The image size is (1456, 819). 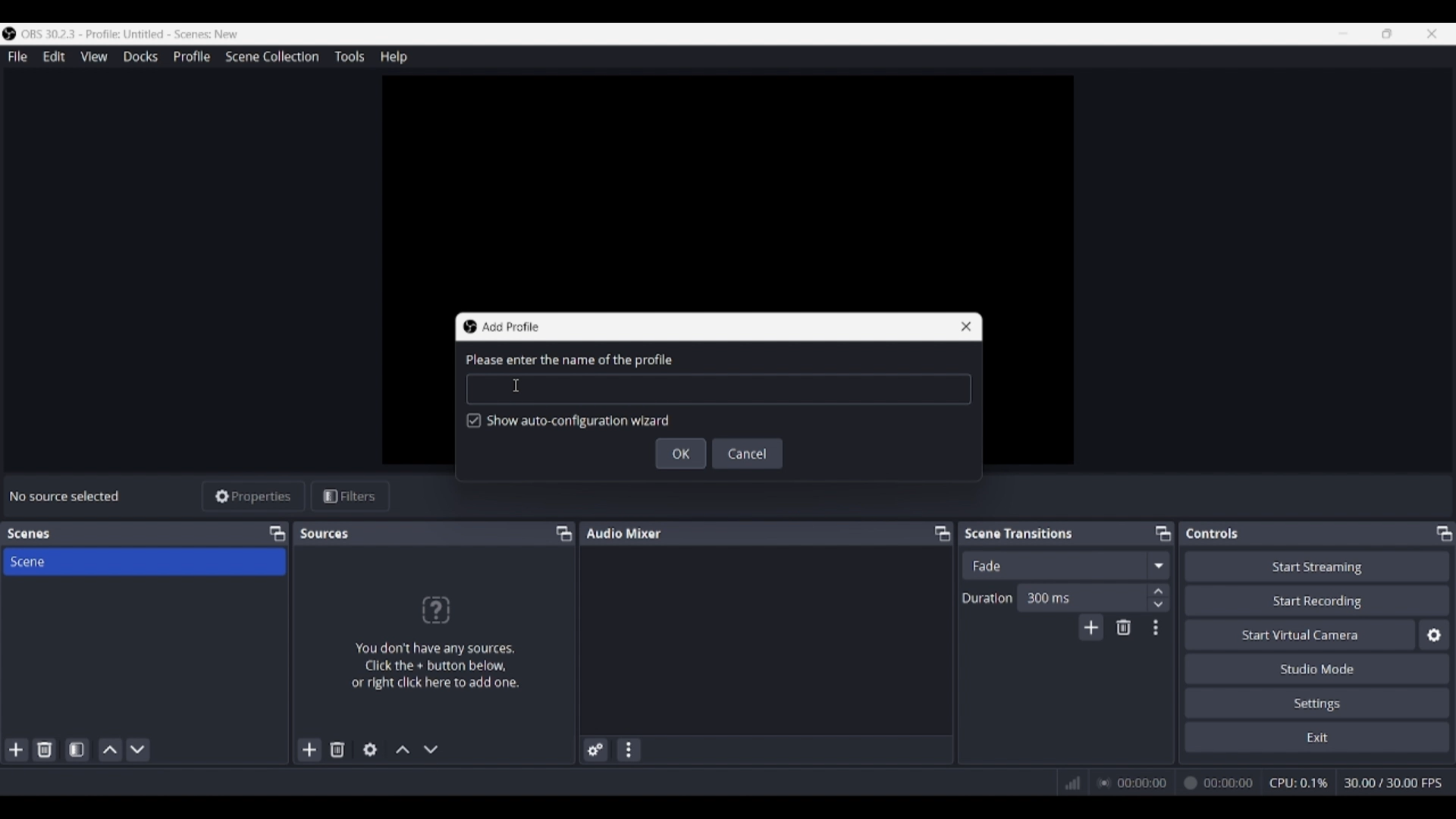 I want to click on Transition properties, so click(x=1156, y=628).